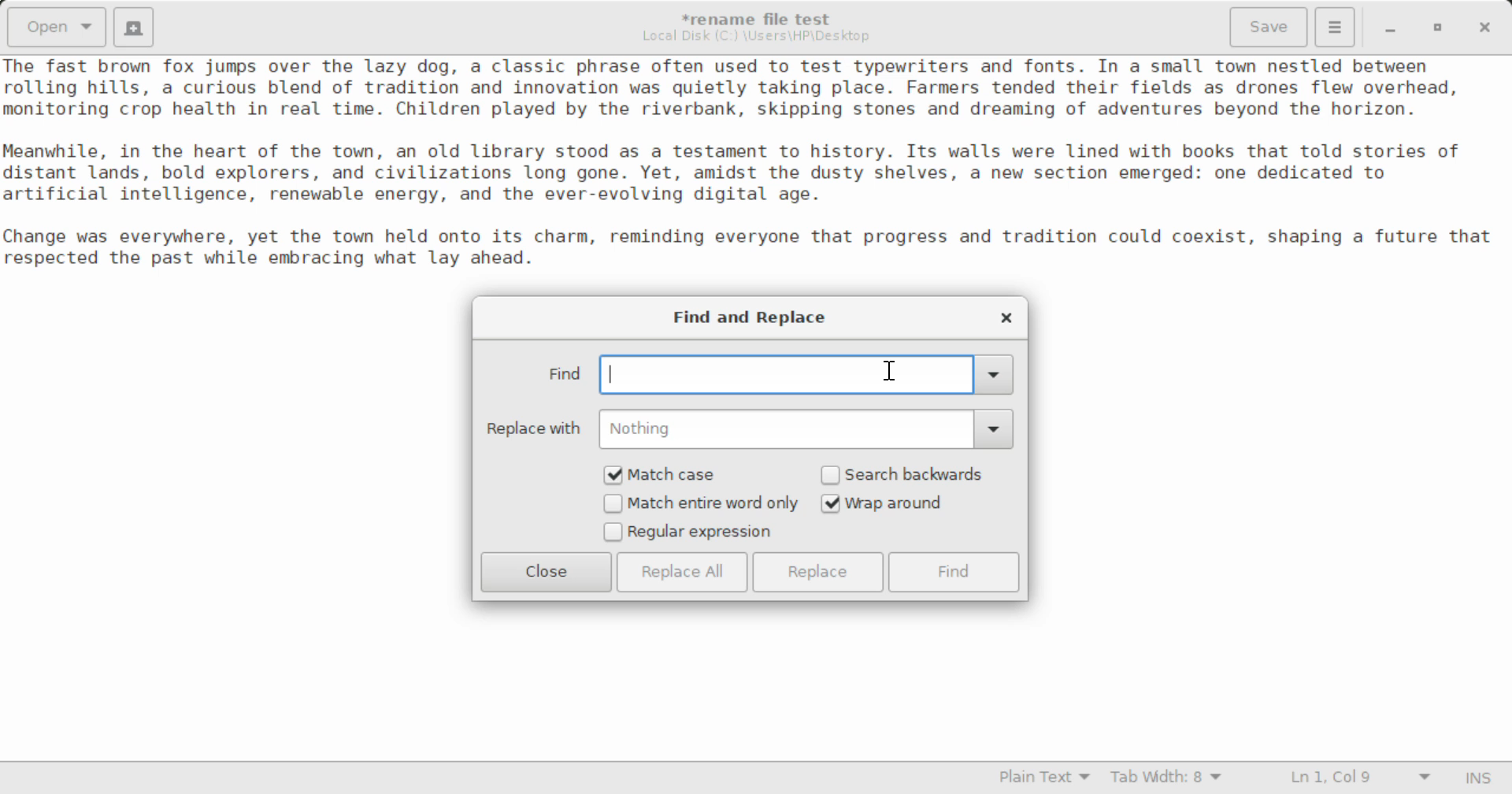 The image size is (1512, 794). Describe the element at coordinates (778, 372) in the screenshot. I see `Find field selected` at that location.